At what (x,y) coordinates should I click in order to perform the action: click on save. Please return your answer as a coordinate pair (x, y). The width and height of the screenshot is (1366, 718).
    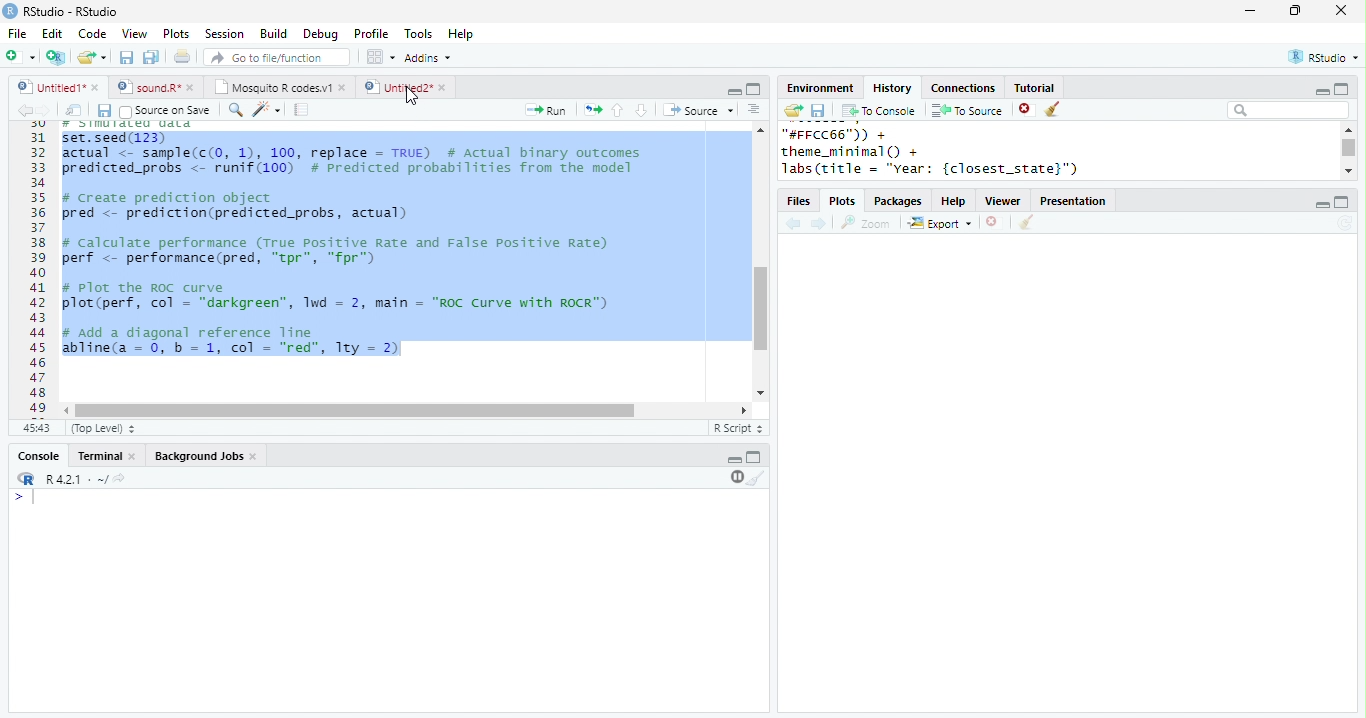
    Looking at the image, I should click on (818, 111).